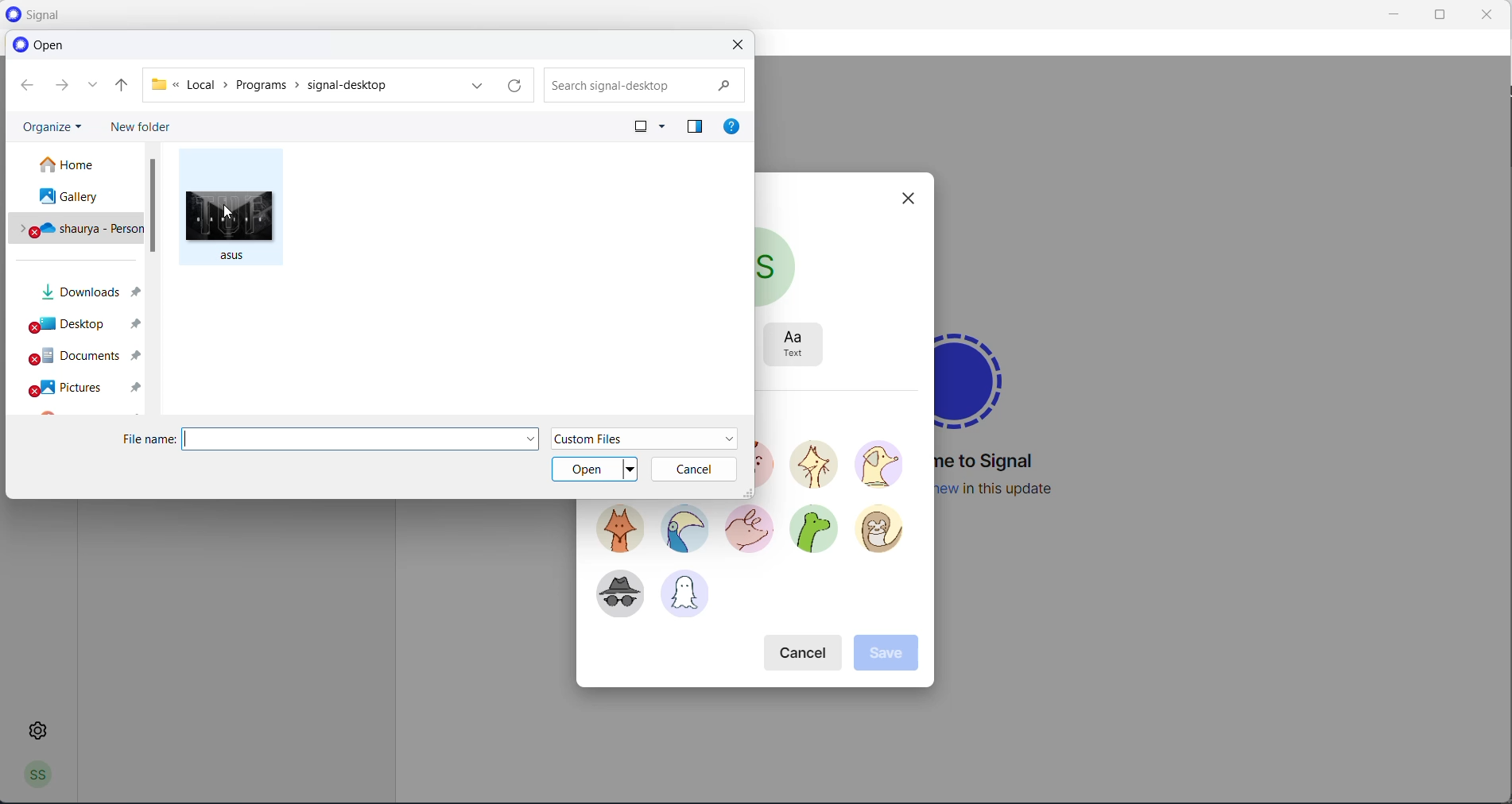  Describe the element at coordinates (96, 87) in the screenshot. I see `recently accessed` at that location.